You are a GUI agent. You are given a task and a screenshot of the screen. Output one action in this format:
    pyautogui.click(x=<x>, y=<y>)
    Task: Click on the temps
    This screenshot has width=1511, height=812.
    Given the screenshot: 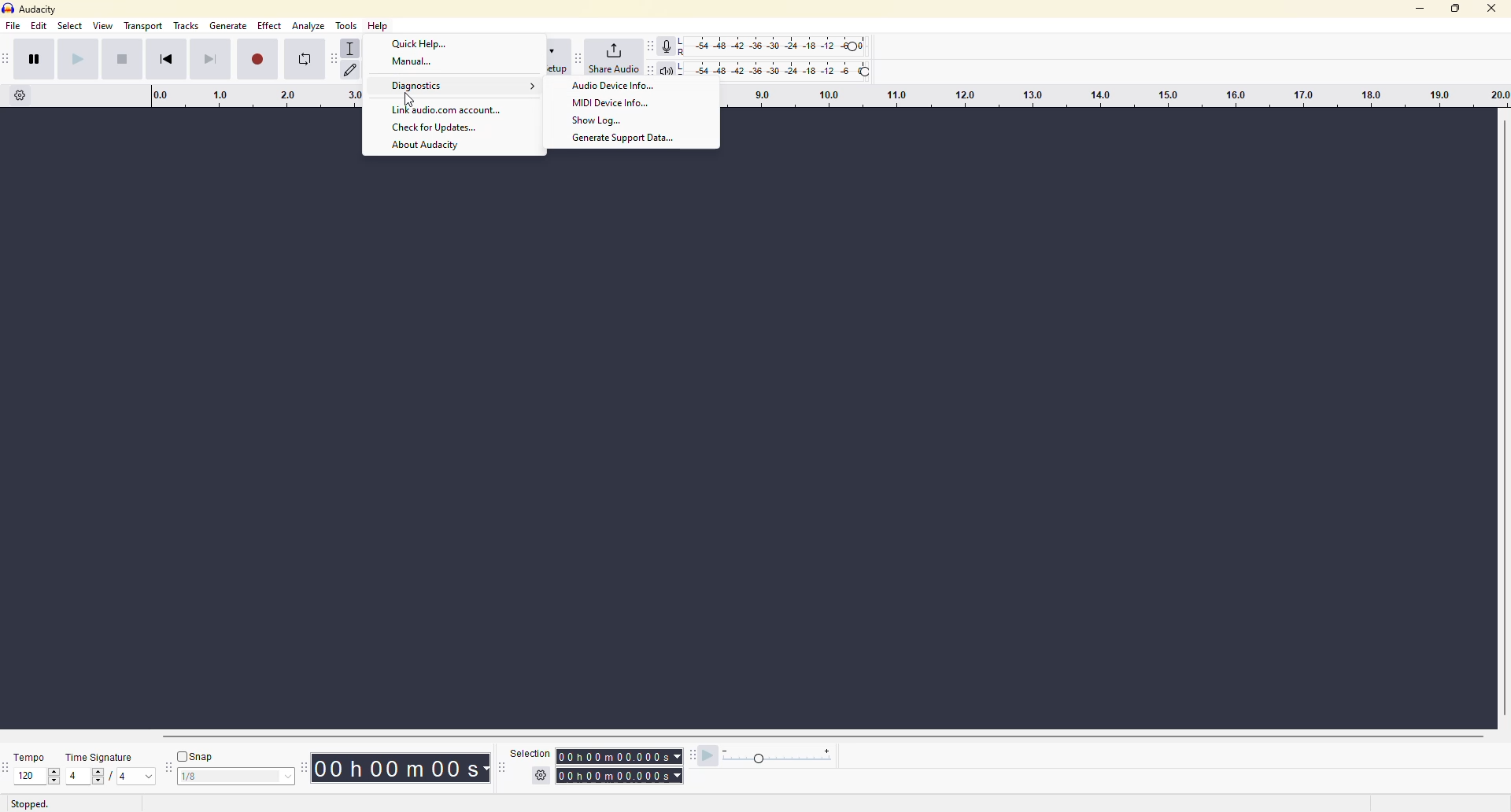 What is the action you would take?
    pyautogui.click(x=25, y=753)
    